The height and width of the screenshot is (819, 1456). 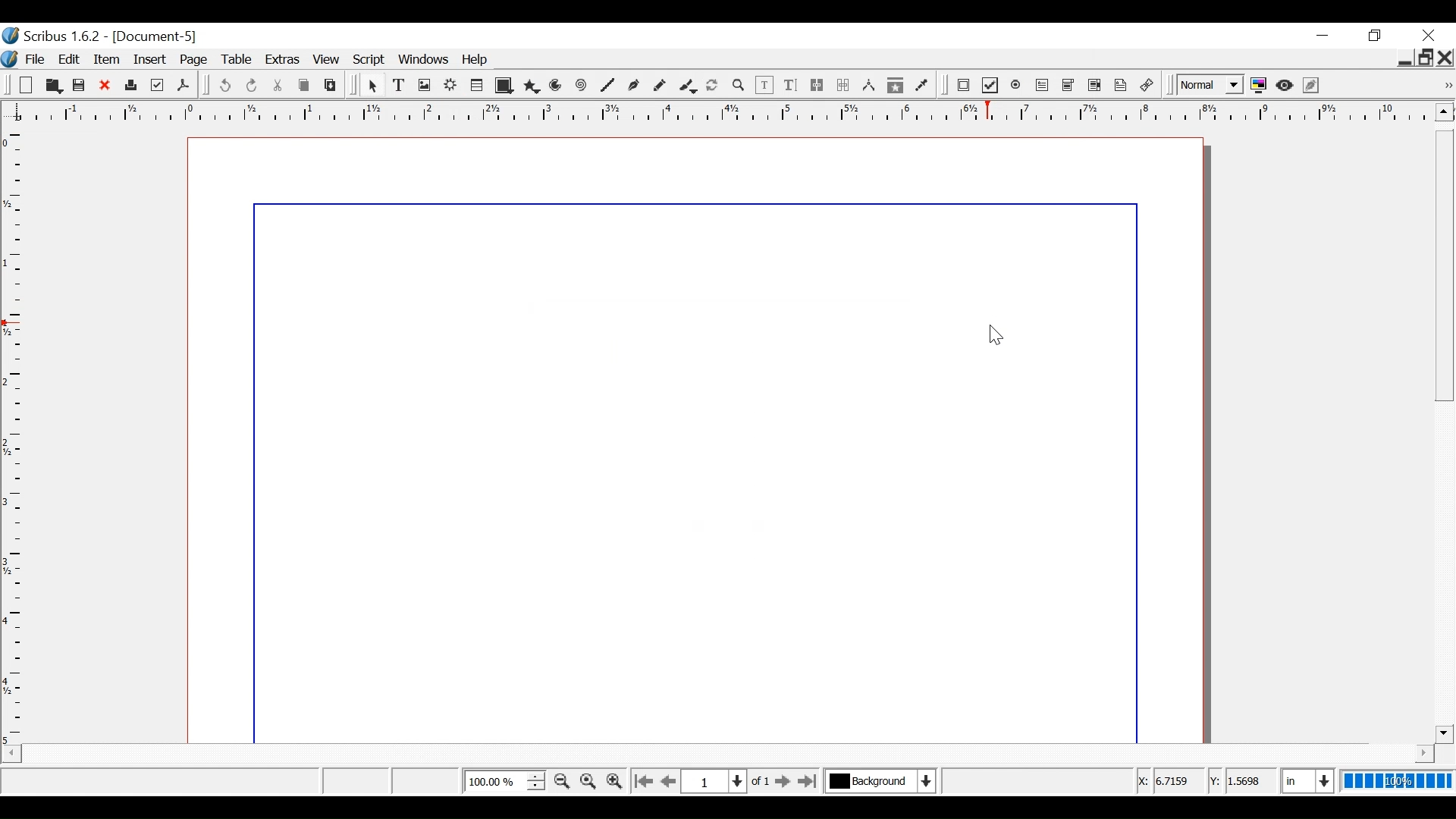 I want to click on Table, so click(x=240, y=61).